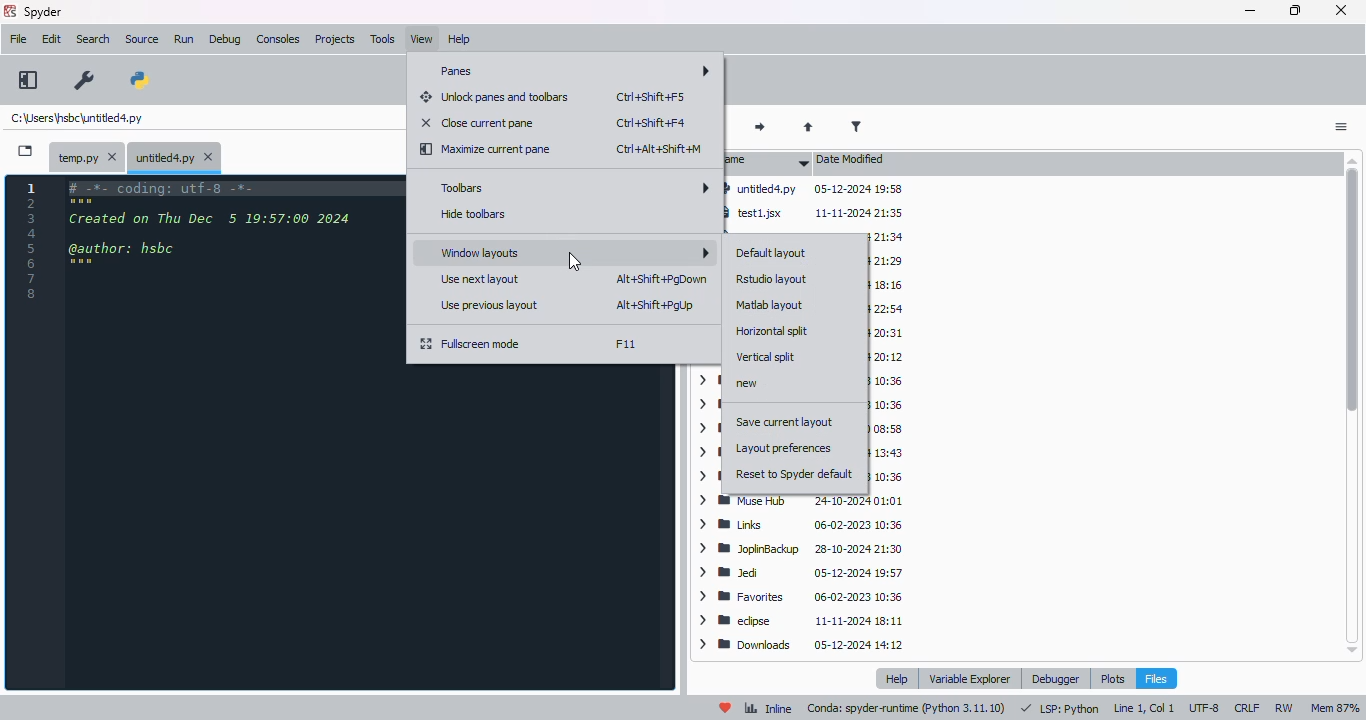  What do you see at coordinates (651, 96) in the screenshot?
I see `shortcut for unlock panes and toolbars` at bounding box center [651, 96].